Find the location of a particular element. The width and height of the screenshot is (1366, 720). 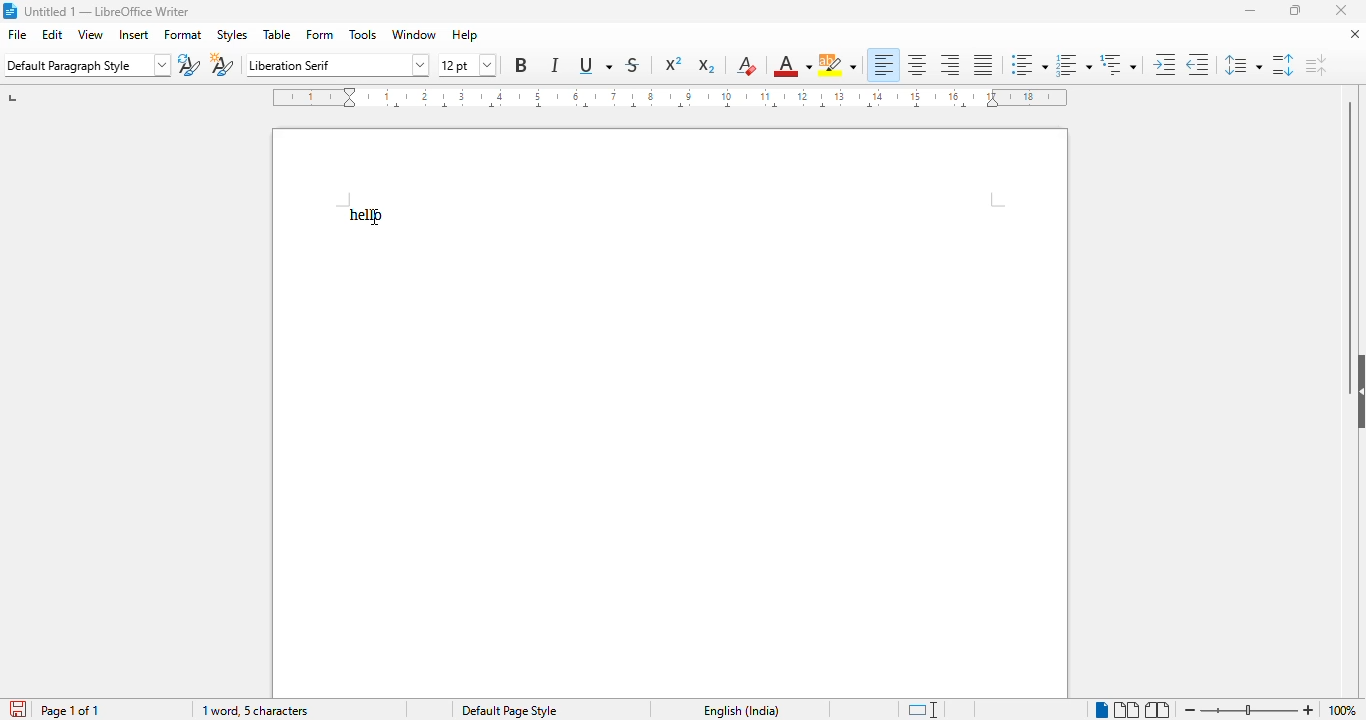

align center is located at coordinates (917, 64).